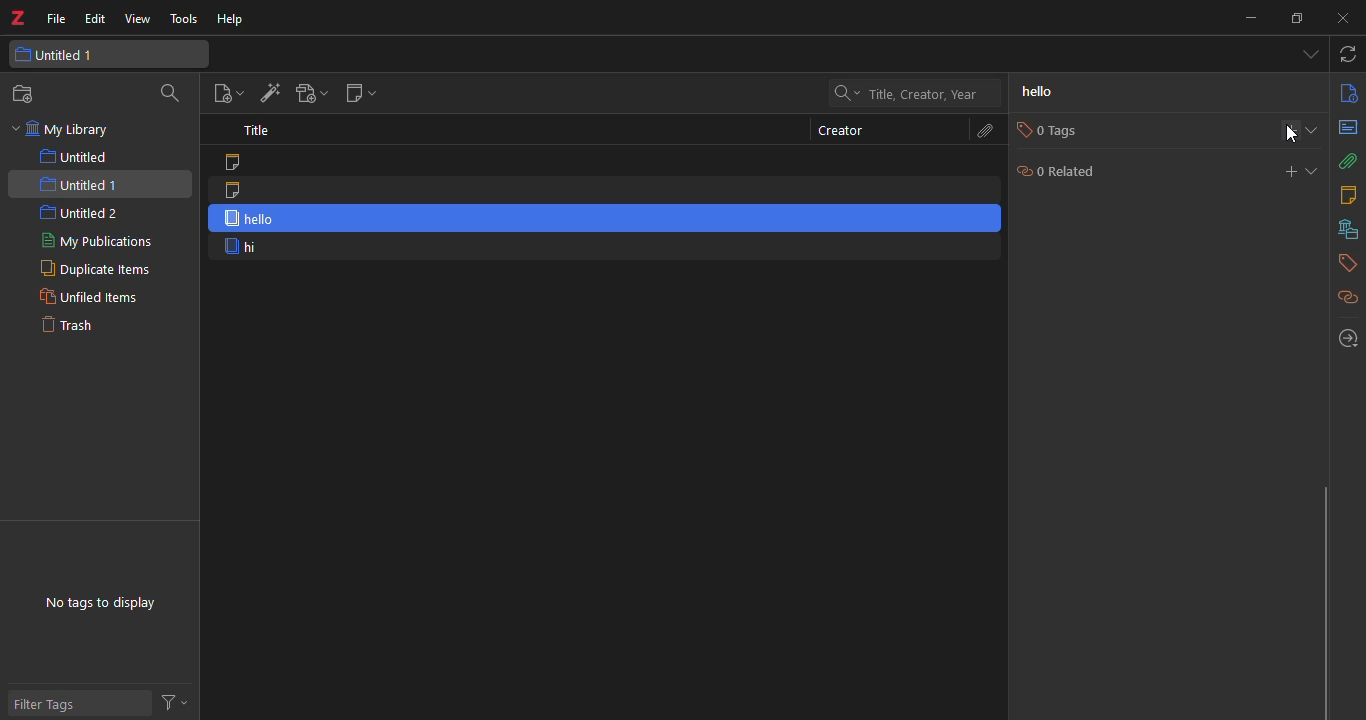 This screenshot has width=1366, height=720. I want to click on notes, so click(1346, 195).